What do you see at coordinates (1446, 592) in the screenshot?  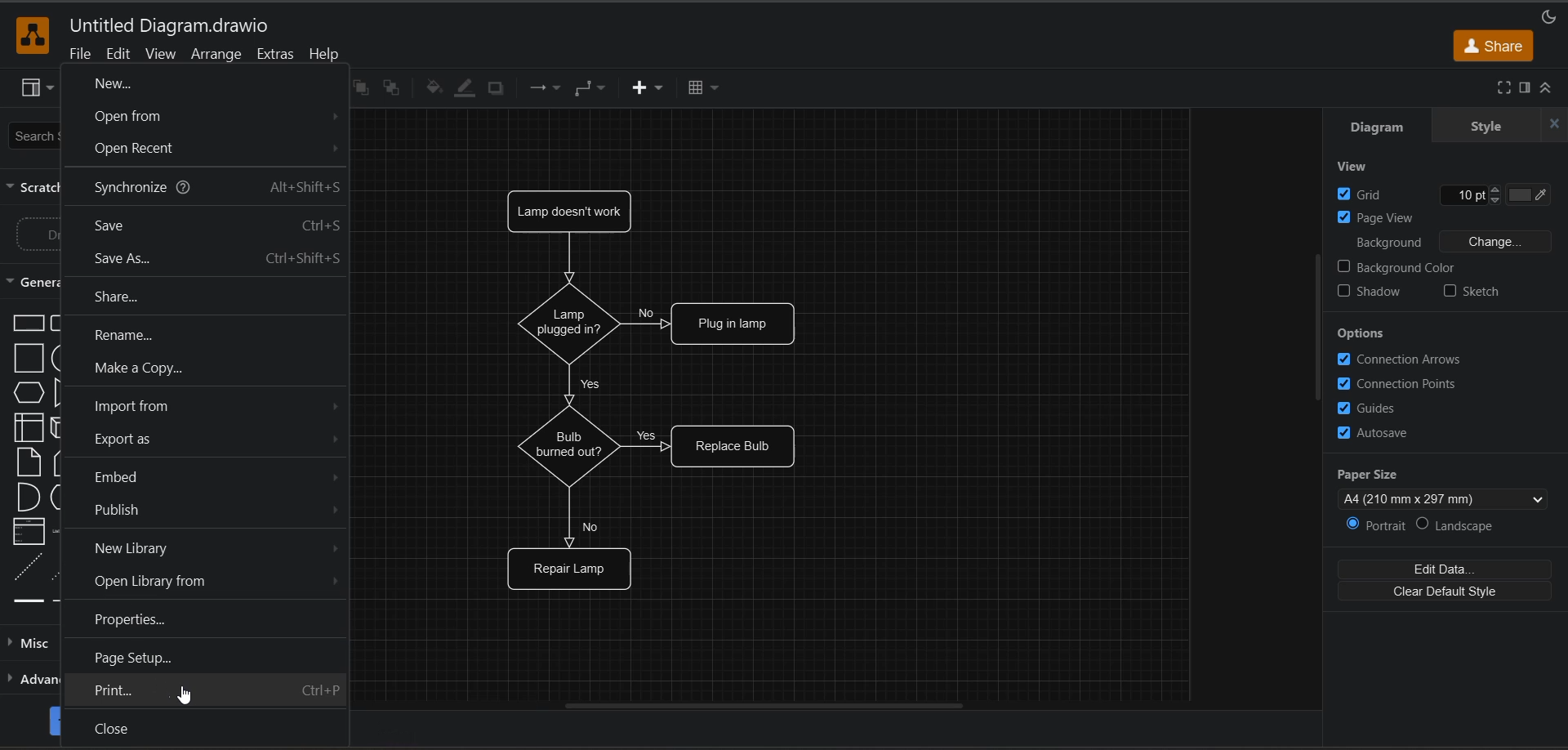 I see `clear default style` at bounding box center [1446, 592].